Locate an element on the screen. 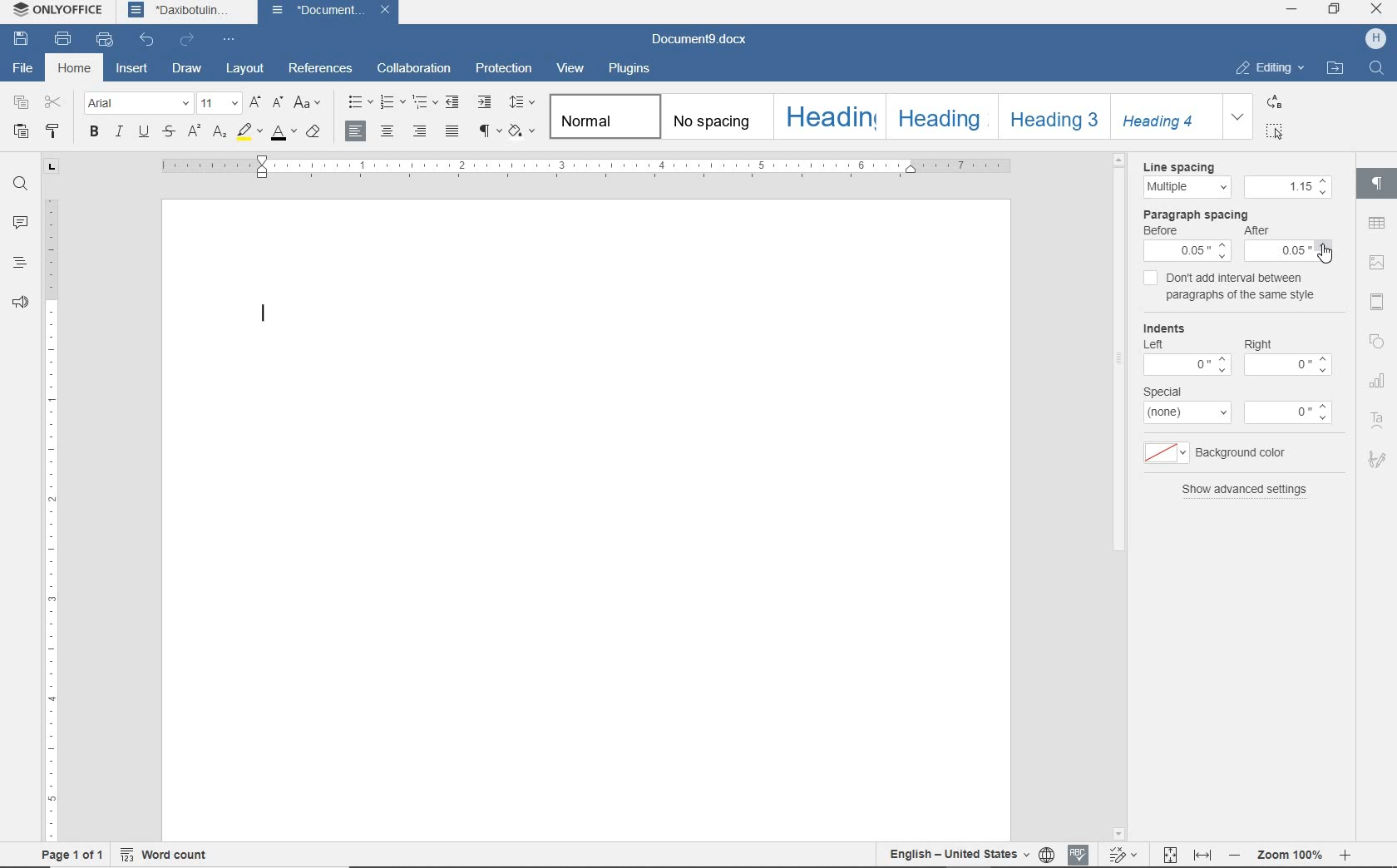 The image size is (1397, 868). SELECT ALL is located at coordinates (1276, 131).